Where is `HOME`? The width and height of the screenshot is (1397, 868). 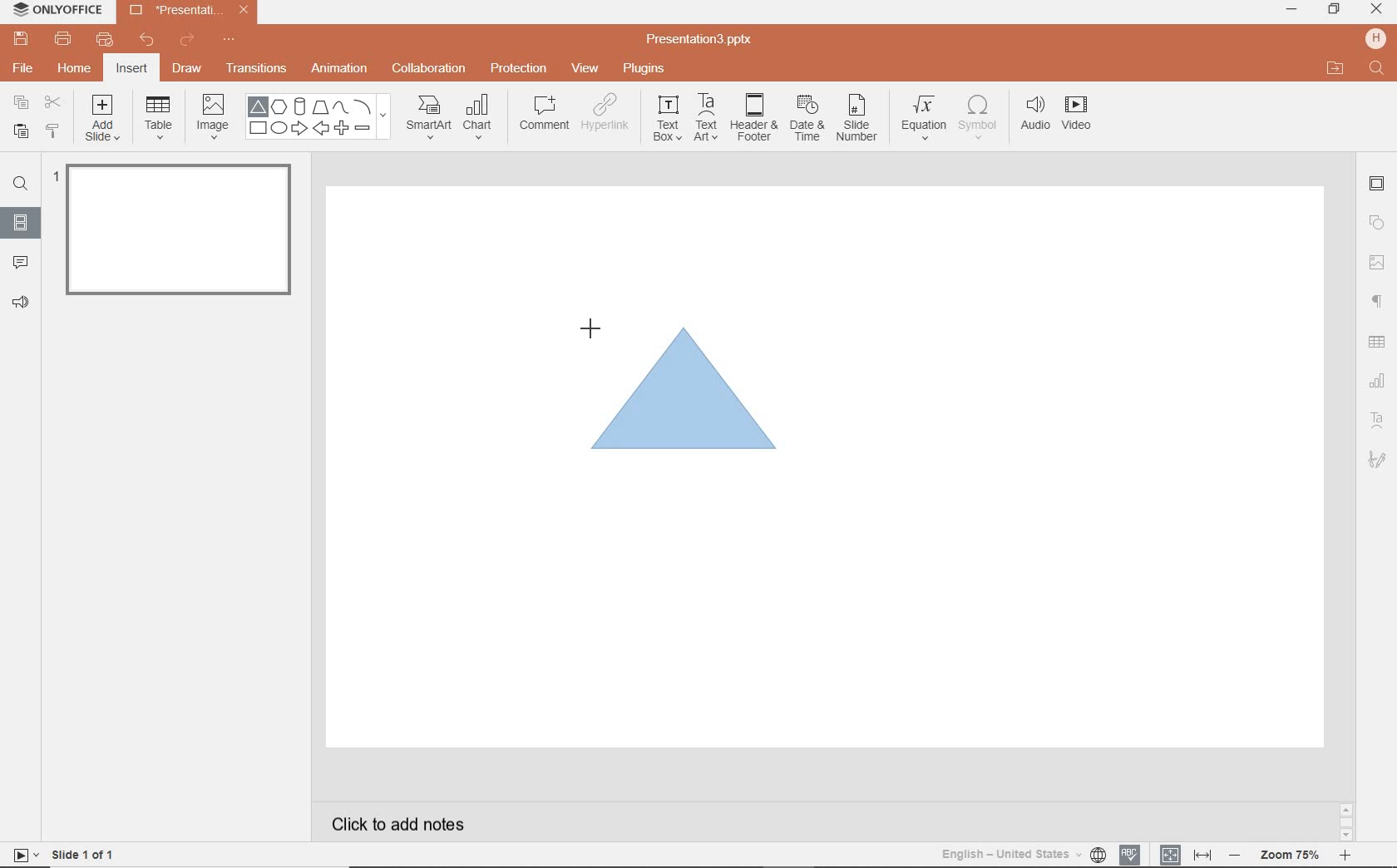
HOME is located at coordinates (76, 70).